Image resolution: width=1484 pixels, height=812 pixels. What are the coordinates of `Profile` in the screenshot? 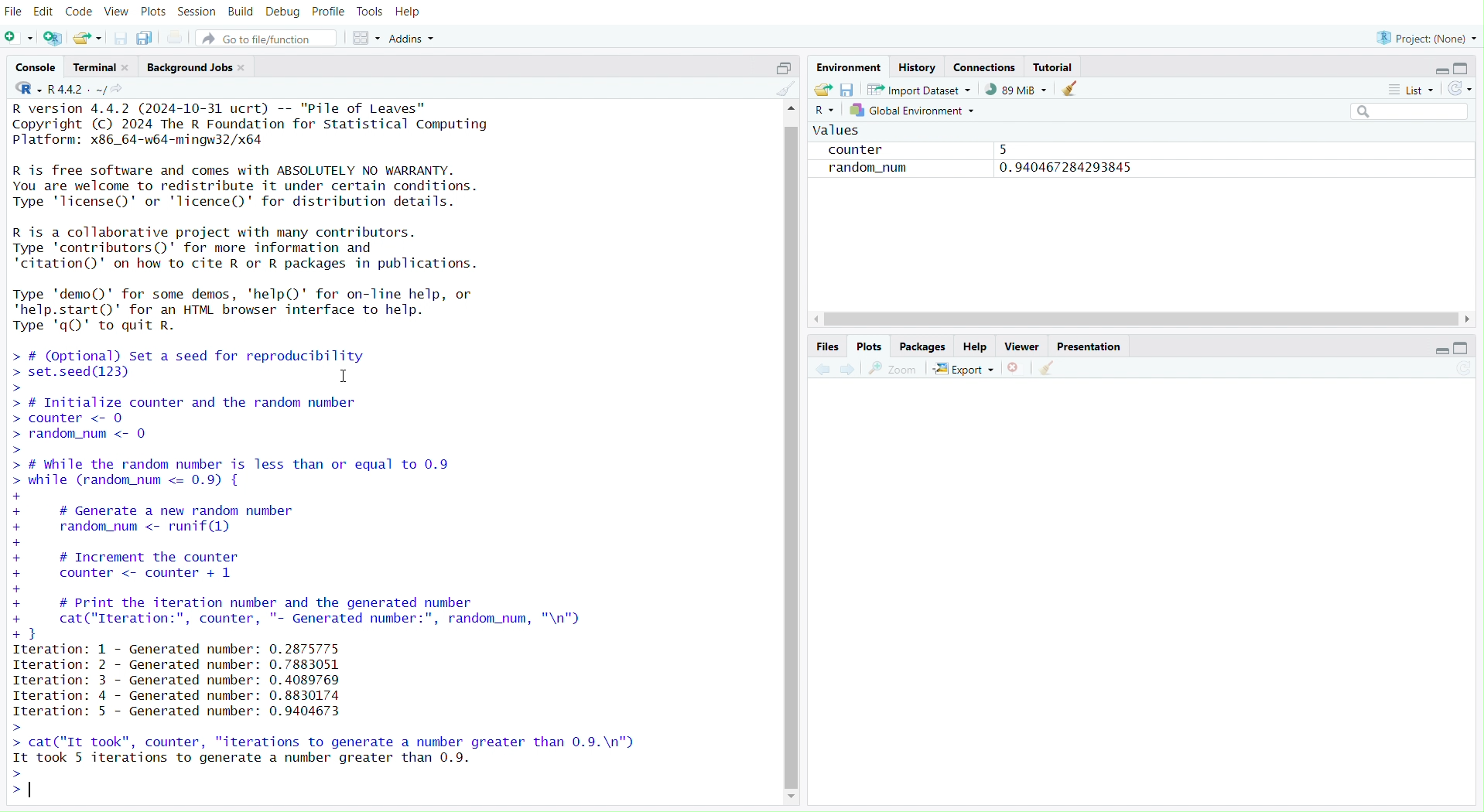 It's located at (327, 12).